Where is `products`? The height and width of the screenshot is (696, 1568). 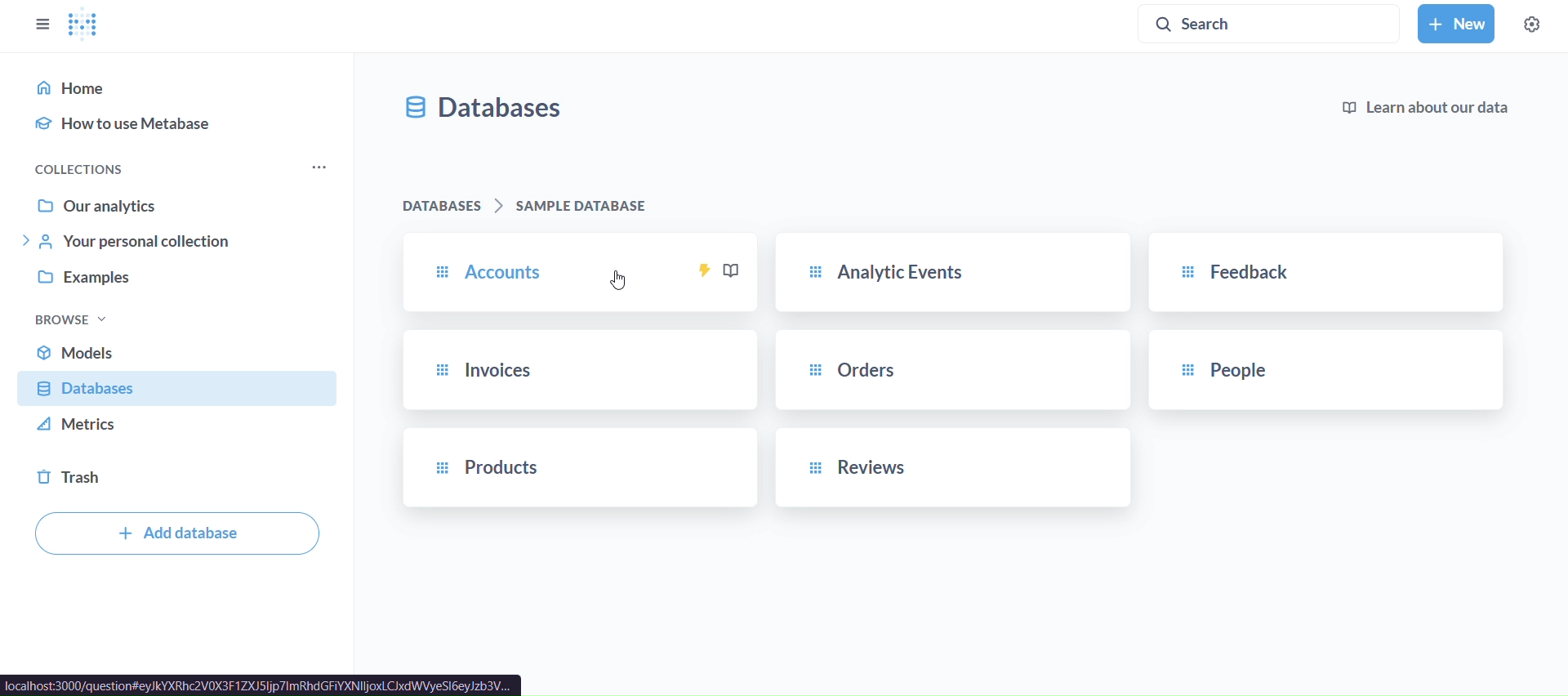
products is located at coordinates (579, 470).